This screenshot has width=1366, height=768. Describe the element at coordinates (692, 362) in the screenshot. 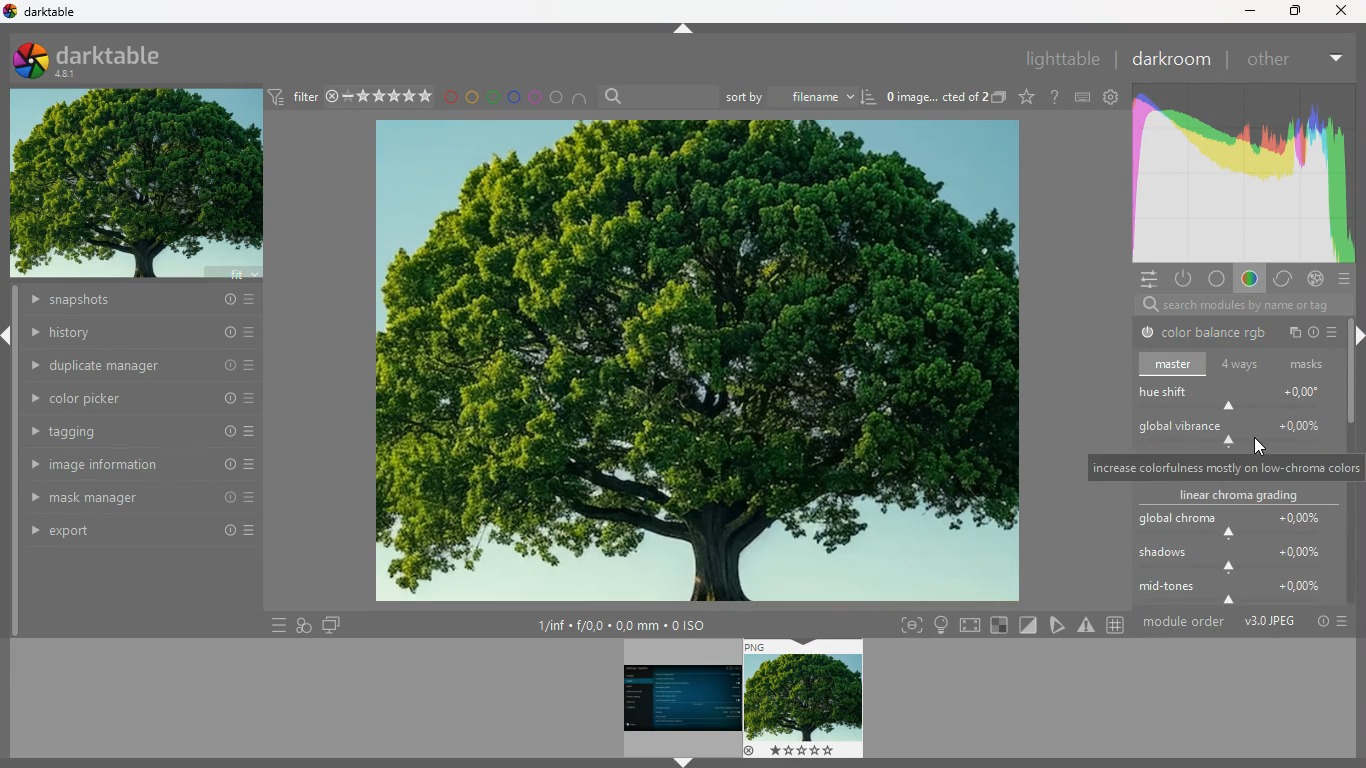

I see `image` at that location.